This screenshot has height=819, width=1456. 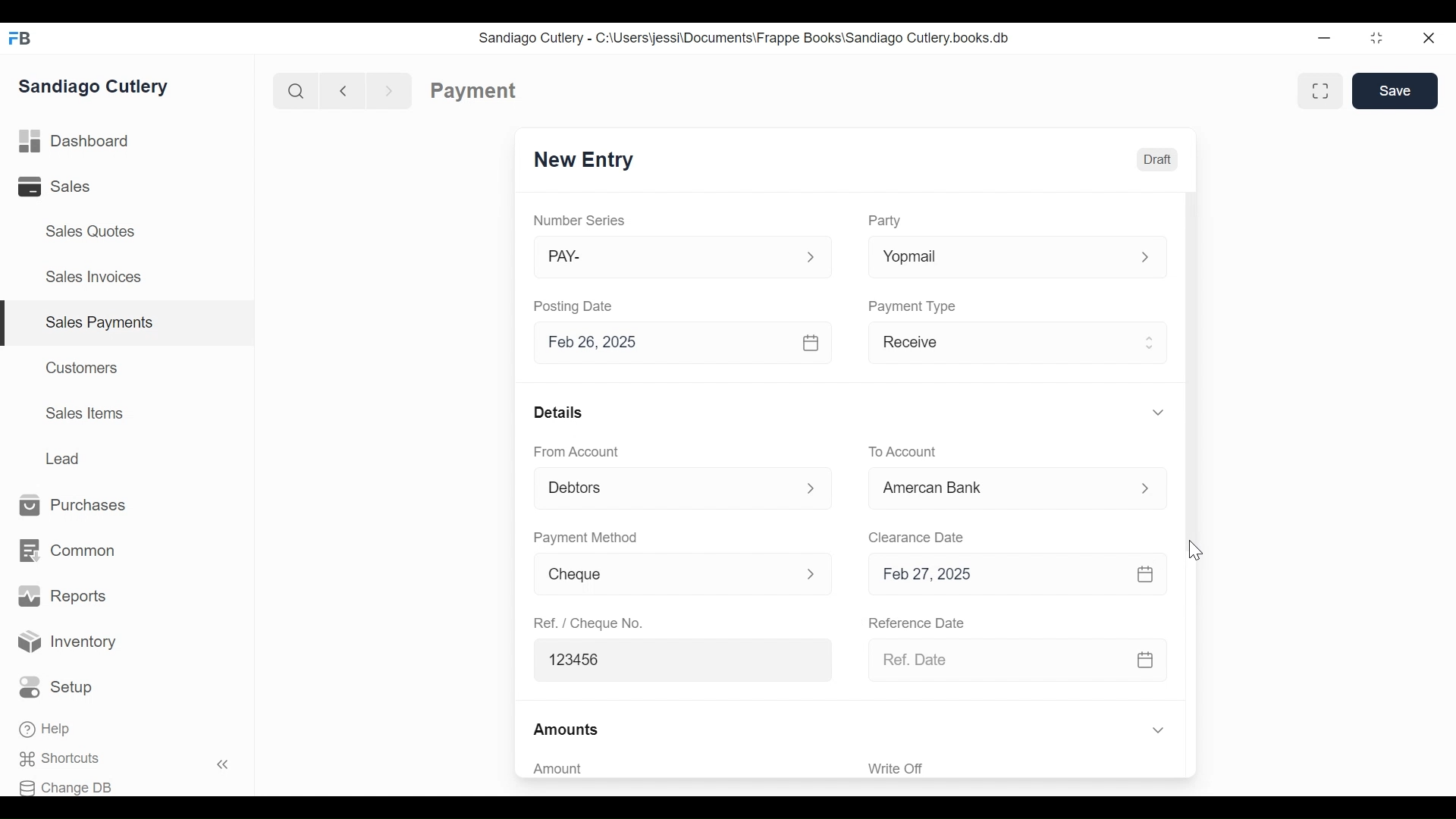 I want to click on Reference Date, so click(x=915, y=621).